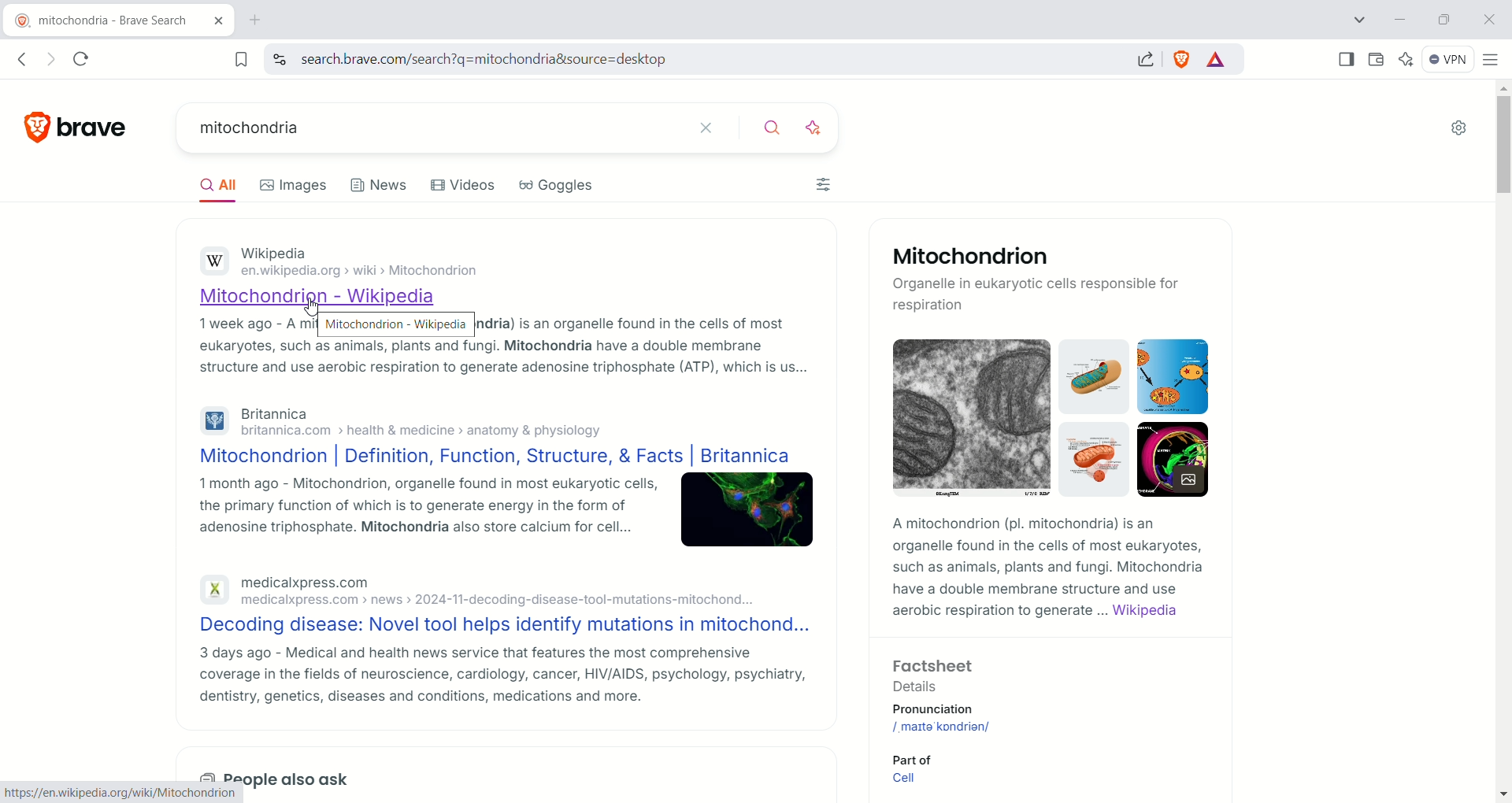  Describe the element at coordinates (490, 456) in the screenshot. I see `Mitochondrion | Definition, Function, Structure, & Facts | Britannica` at that location.